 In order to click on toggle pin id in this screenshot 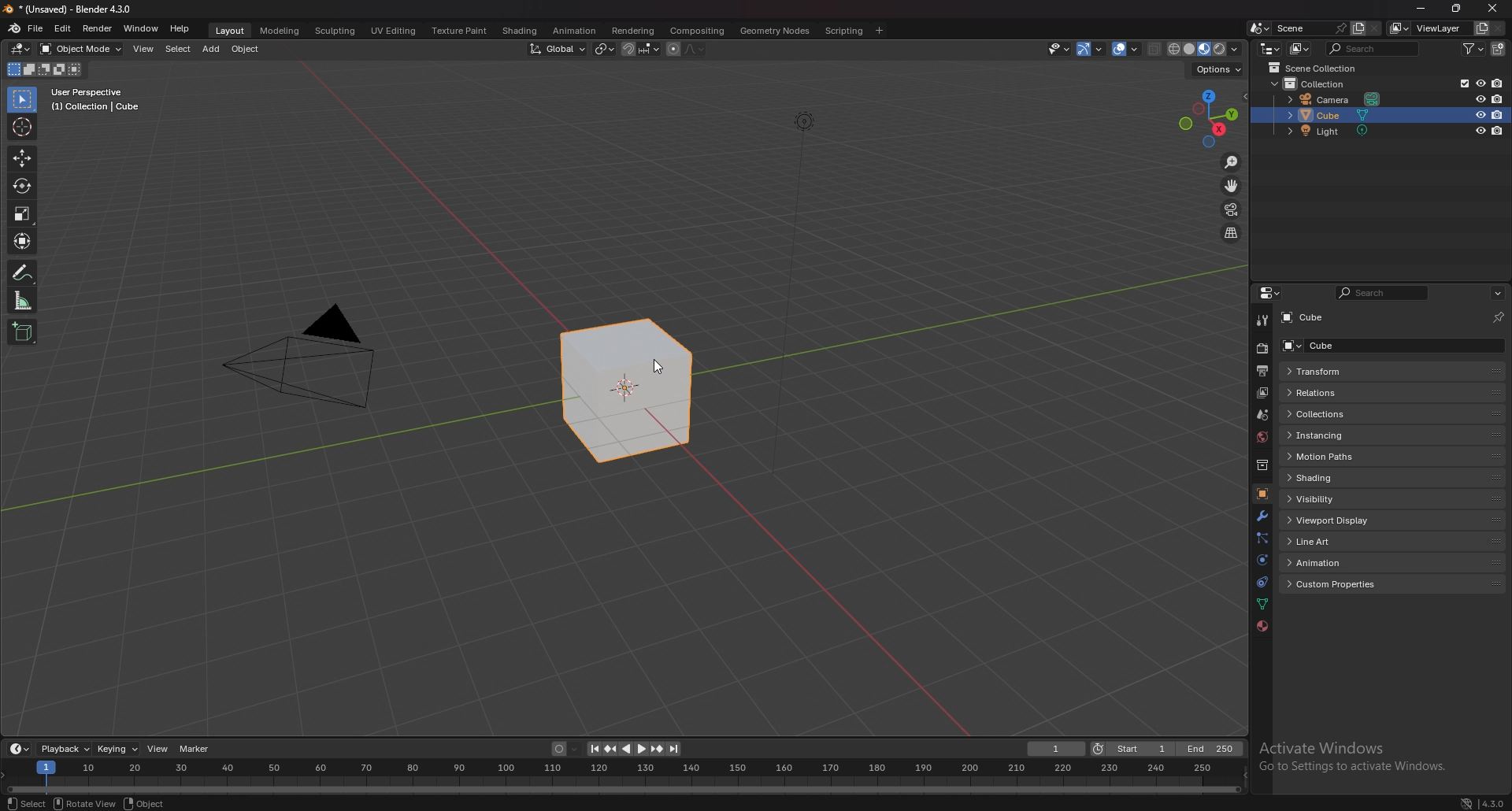, I will do `click(1499, 316)`.